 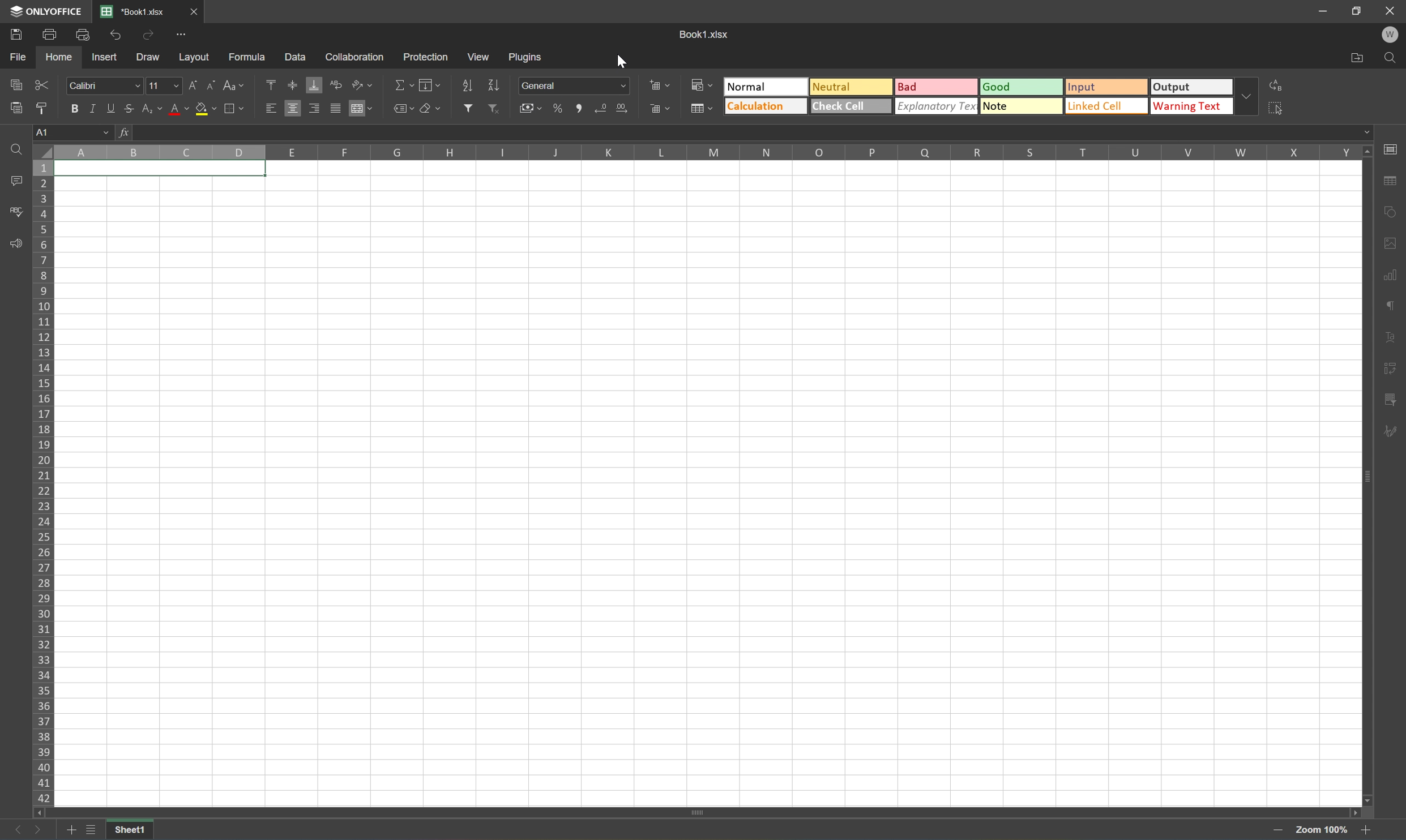 I want to click on Scroll up, so click(x=1367, y=152).